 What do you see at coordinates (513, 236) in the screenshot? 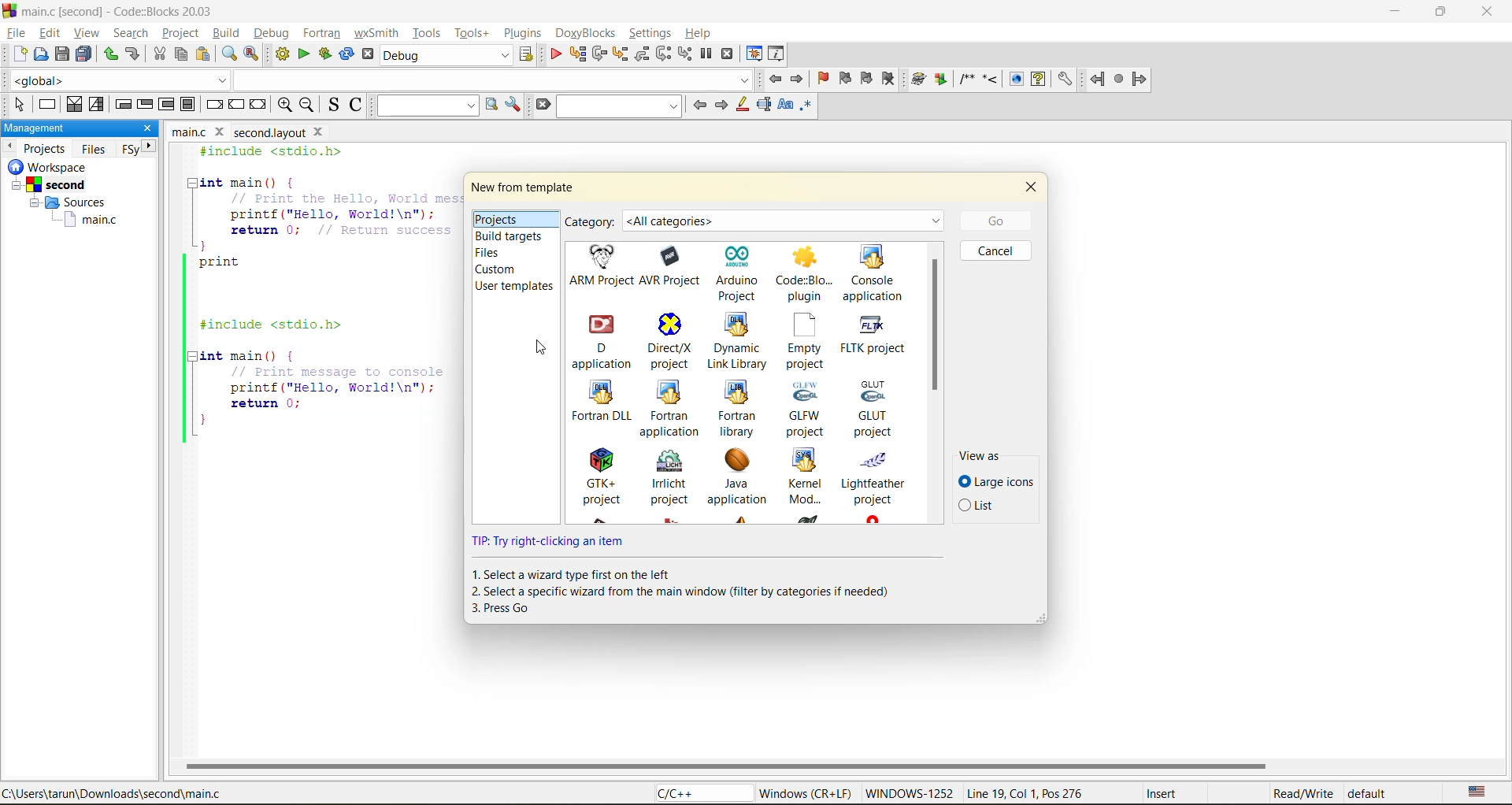
I see `build targets` at bounding box center [513, 236].